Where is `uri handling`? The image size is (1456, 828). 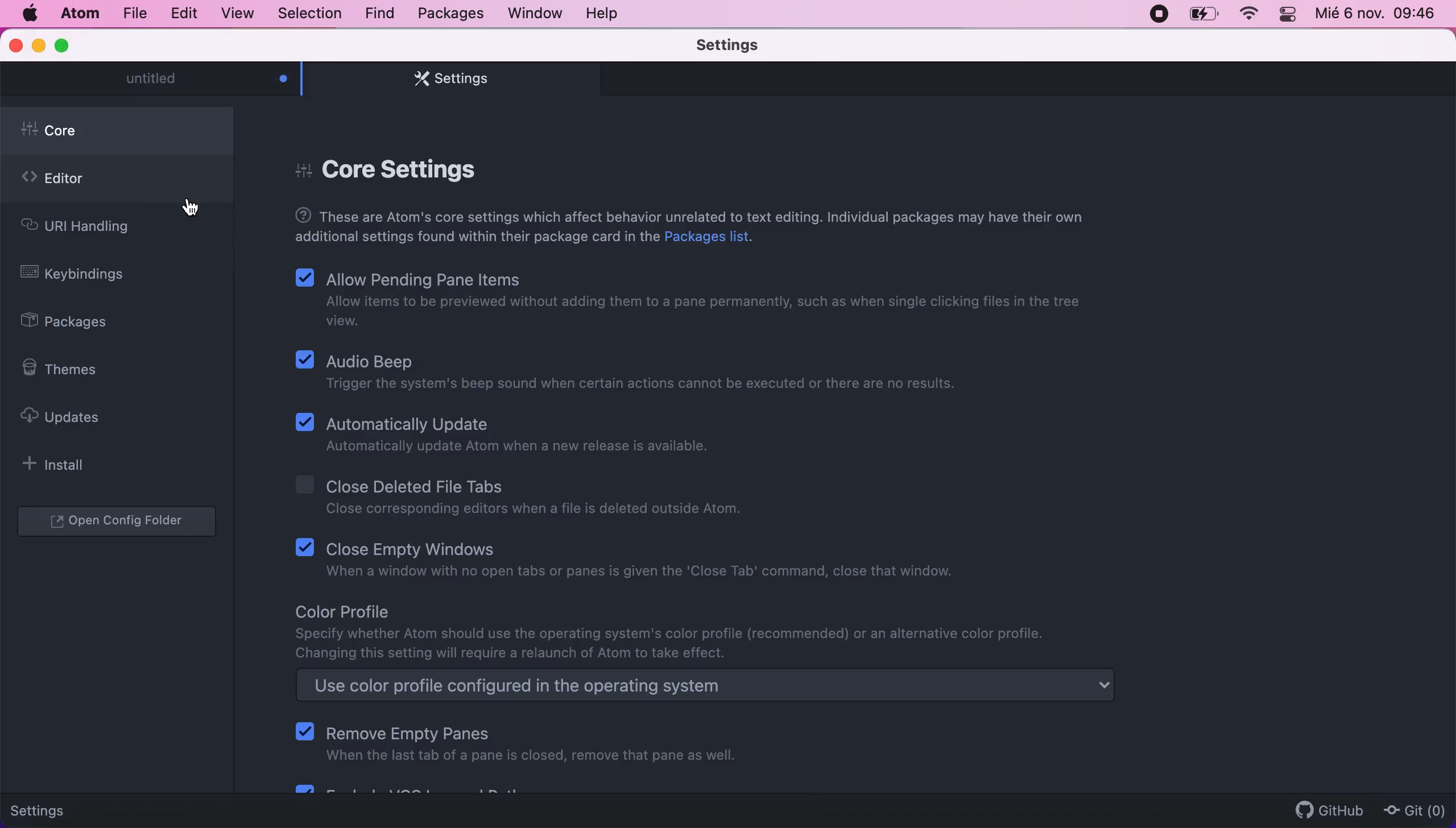 uri handling is located at coordinates (73, 223).